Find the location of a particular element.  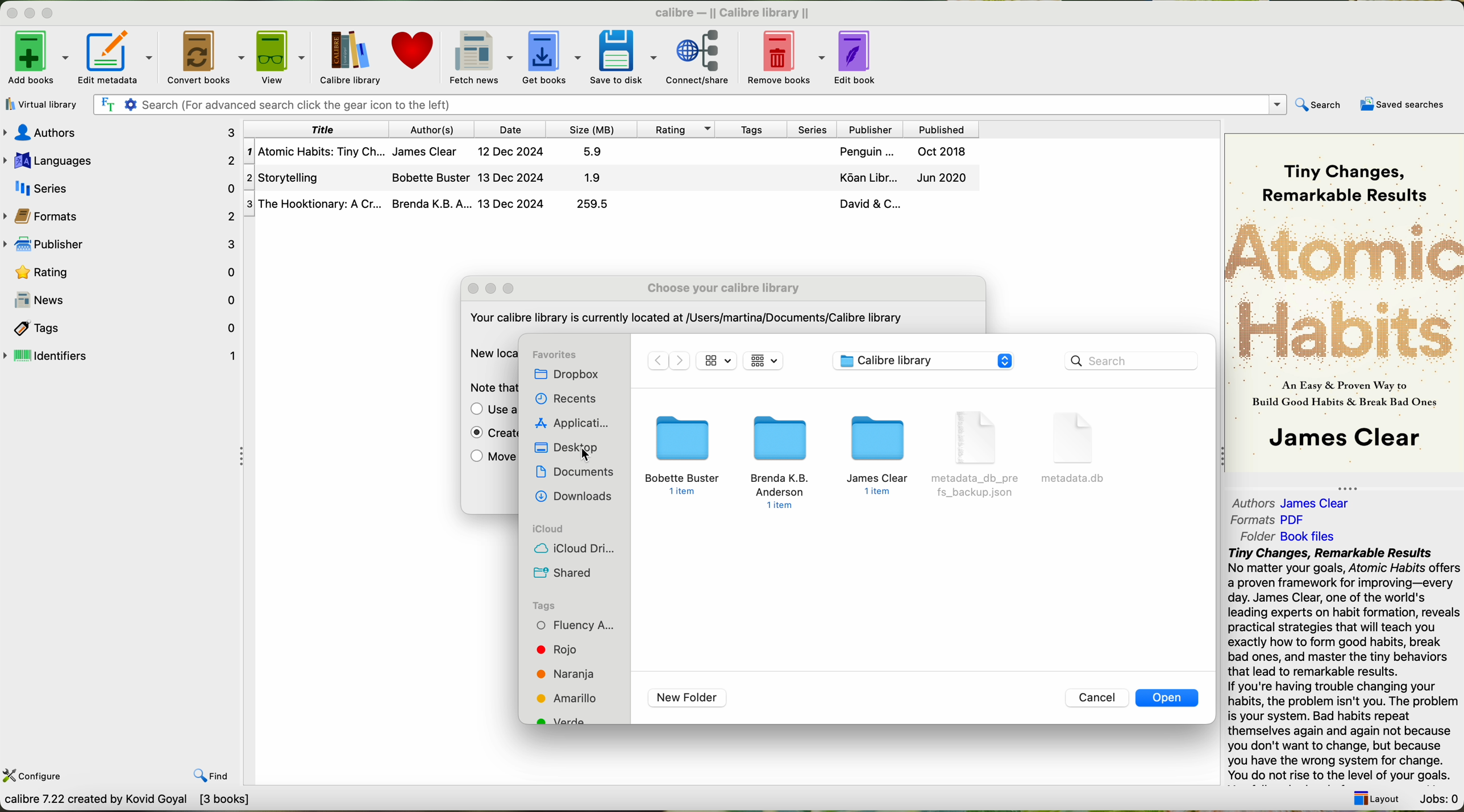

cancel is located at coordinates (1098, 698).